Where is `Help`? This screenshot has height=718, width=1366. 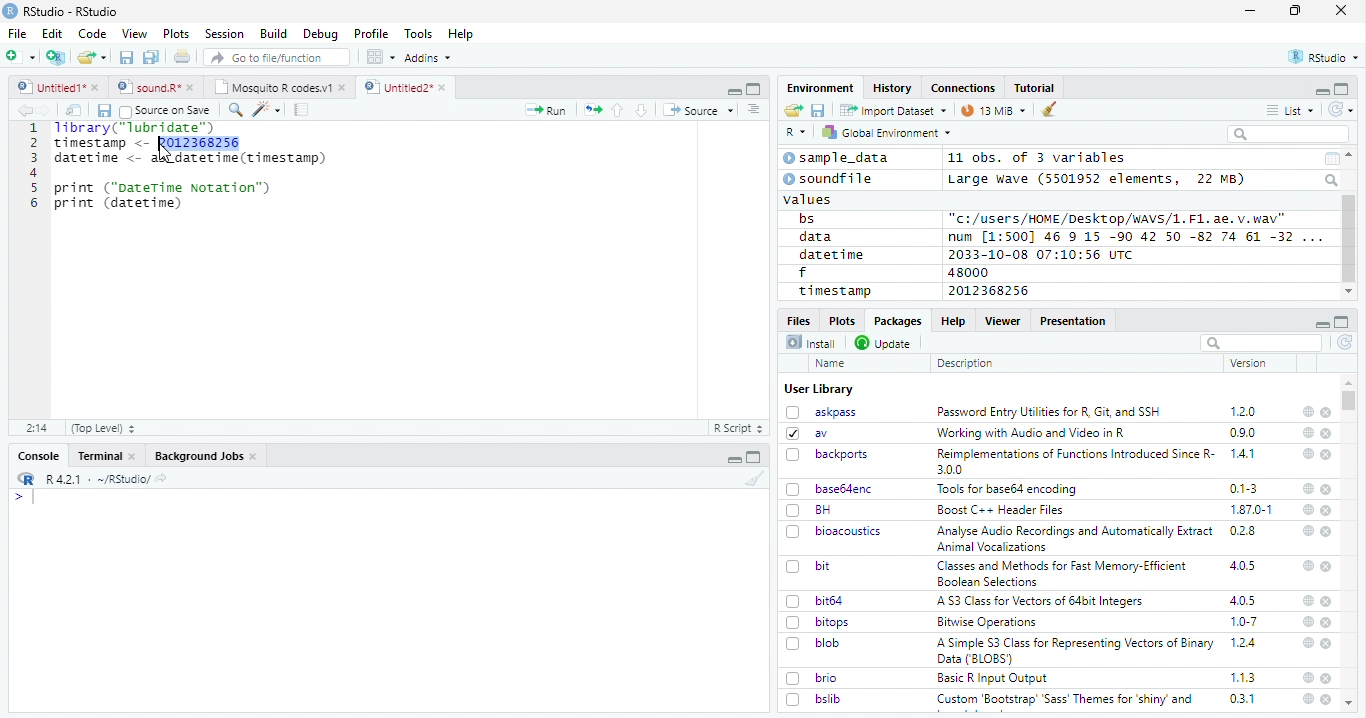
Help is located at coordinates (461, 35).